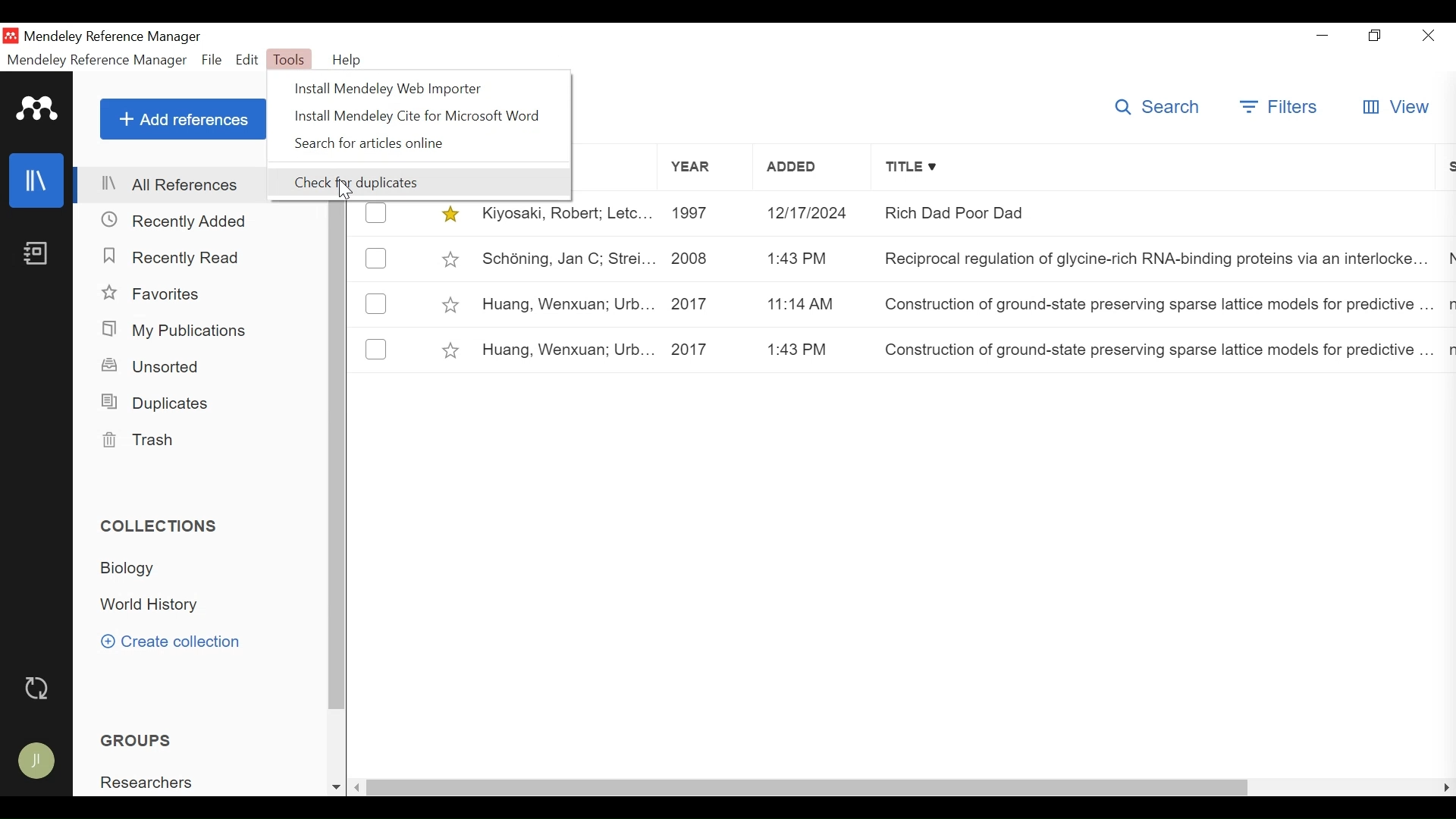  I want to click on Construction of ground-state preserving sparse lattice models for predictive machine simulations, so click(1154, 349).